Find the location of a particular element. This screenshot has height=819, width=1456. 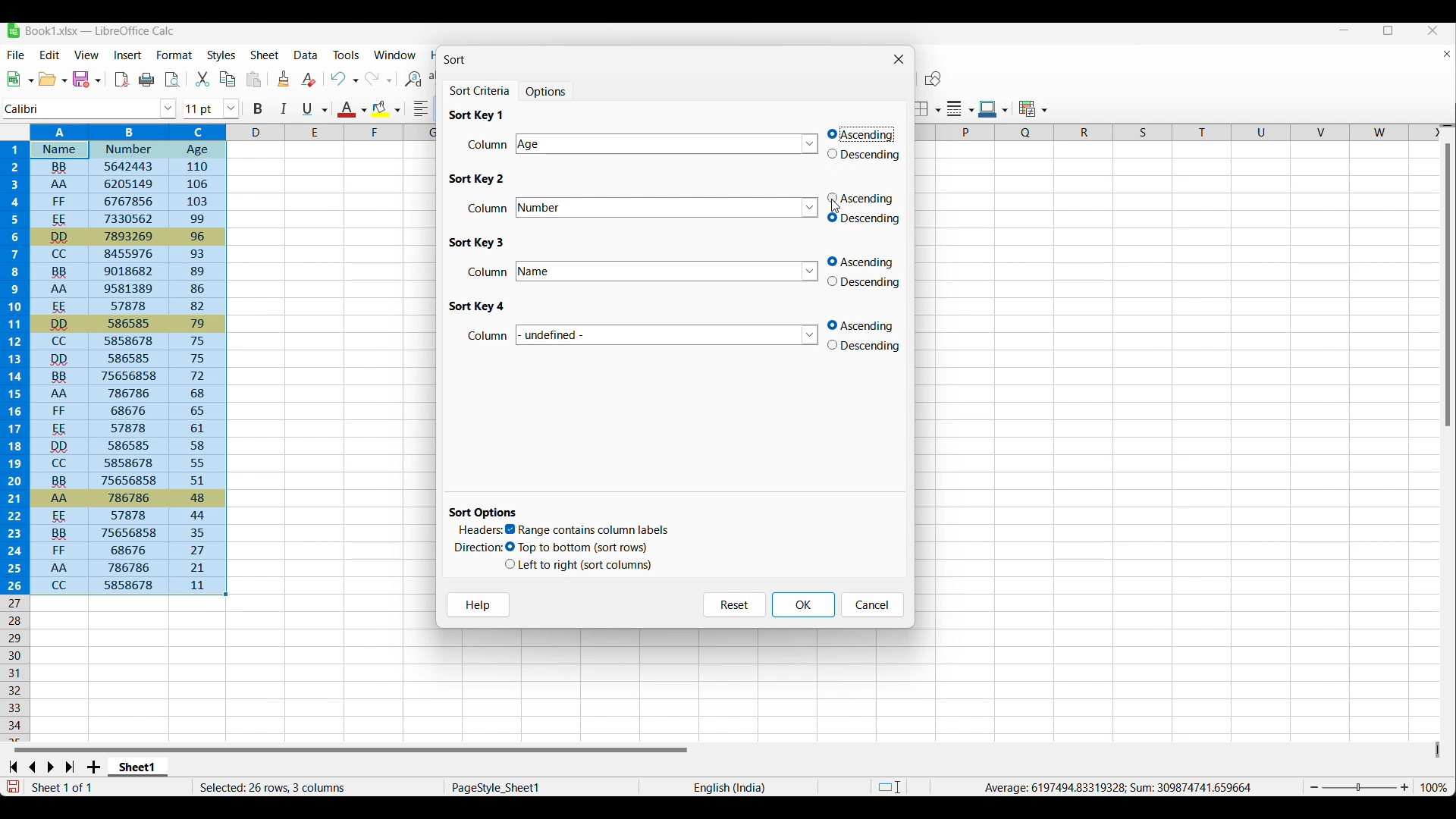

vertical scroll bar is located at coordinates (1447, 286).